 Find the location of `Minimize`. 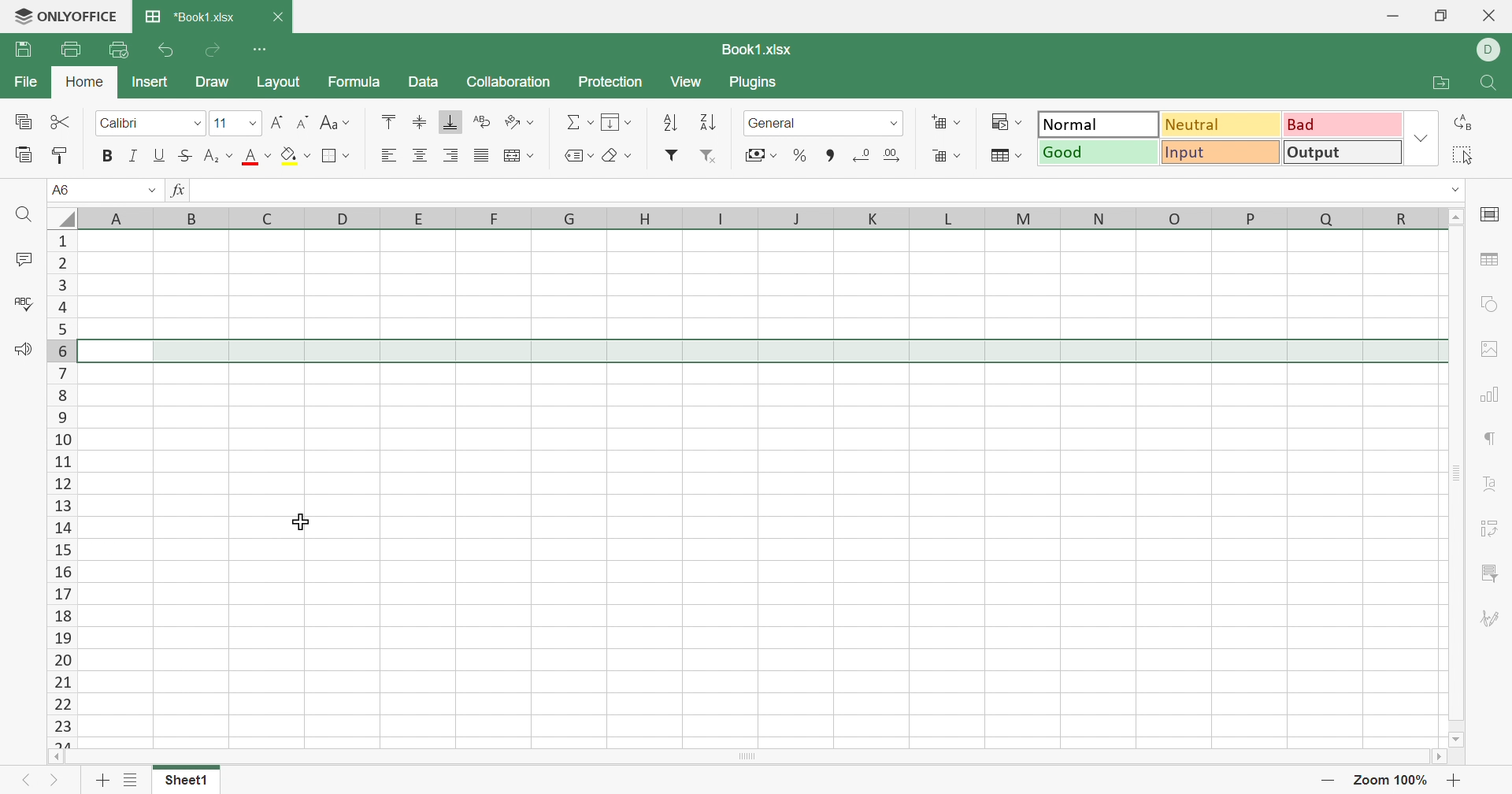

Minimize is located at coordinates (1393, 14).